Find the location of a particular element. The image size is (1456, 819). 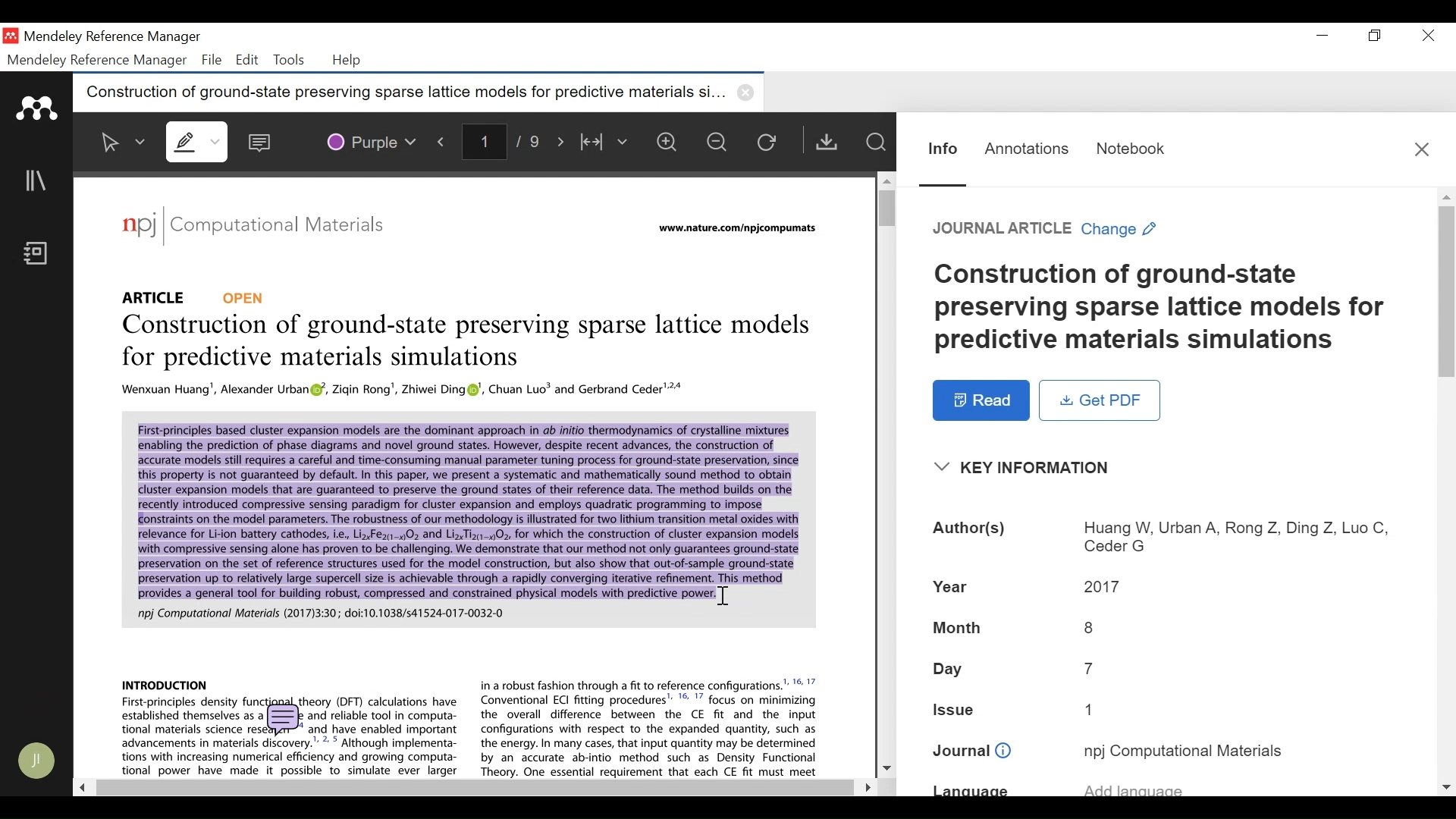

Zoom out is located at coordinates (718, 141).